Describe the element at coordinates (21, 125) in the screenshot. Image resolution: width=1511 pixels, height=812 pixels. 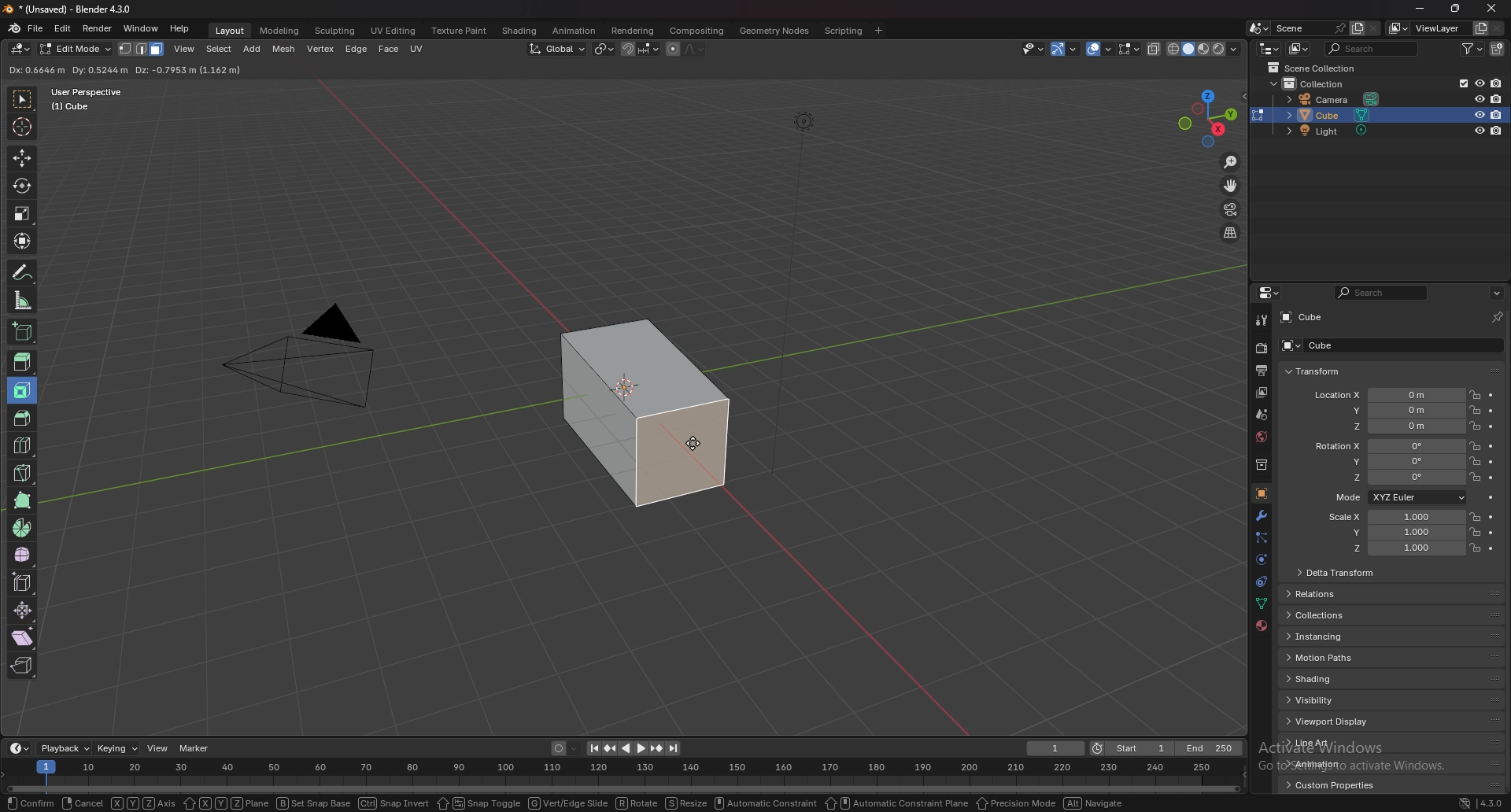
I see `cursor` at that location.